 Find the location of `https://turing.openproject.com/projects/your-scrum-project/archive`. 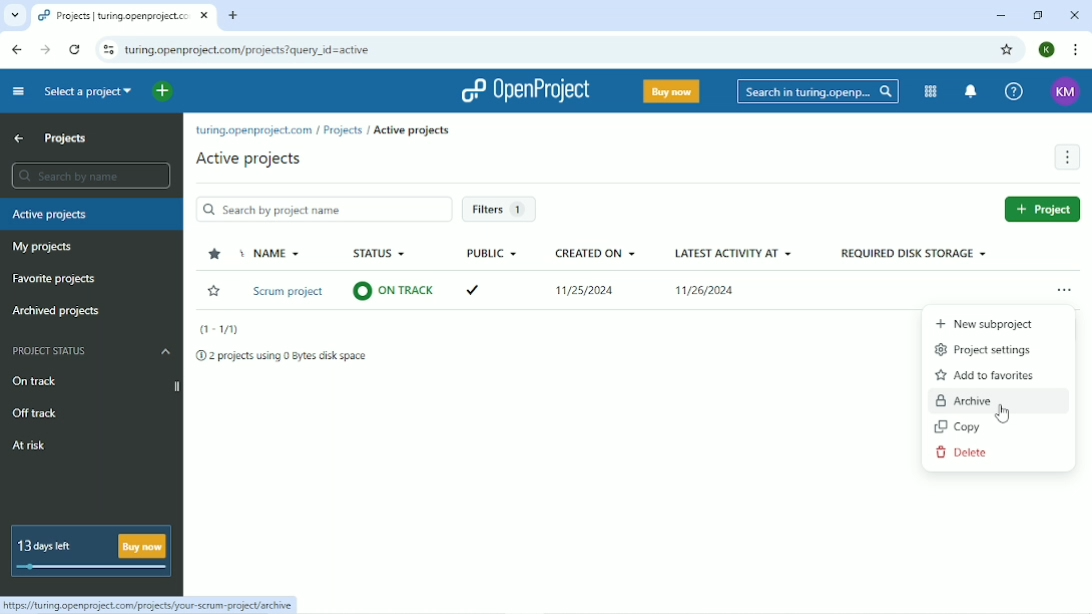

https://turing.openproject.com/projects/your-scrum-project/archive is located at coordinates (152, 604).